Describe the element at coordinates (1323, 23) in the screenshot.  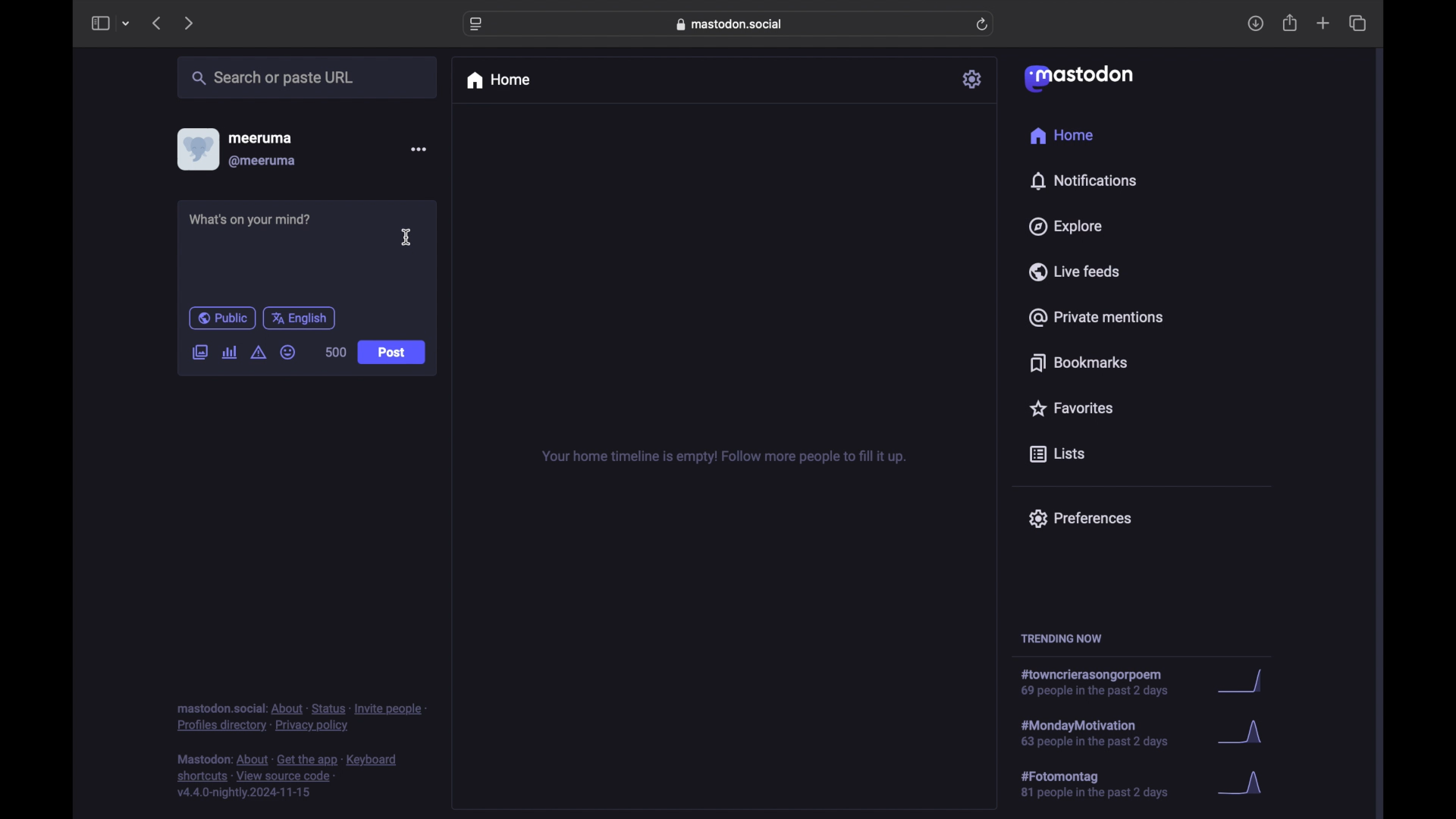
I see `new tab` at that location.